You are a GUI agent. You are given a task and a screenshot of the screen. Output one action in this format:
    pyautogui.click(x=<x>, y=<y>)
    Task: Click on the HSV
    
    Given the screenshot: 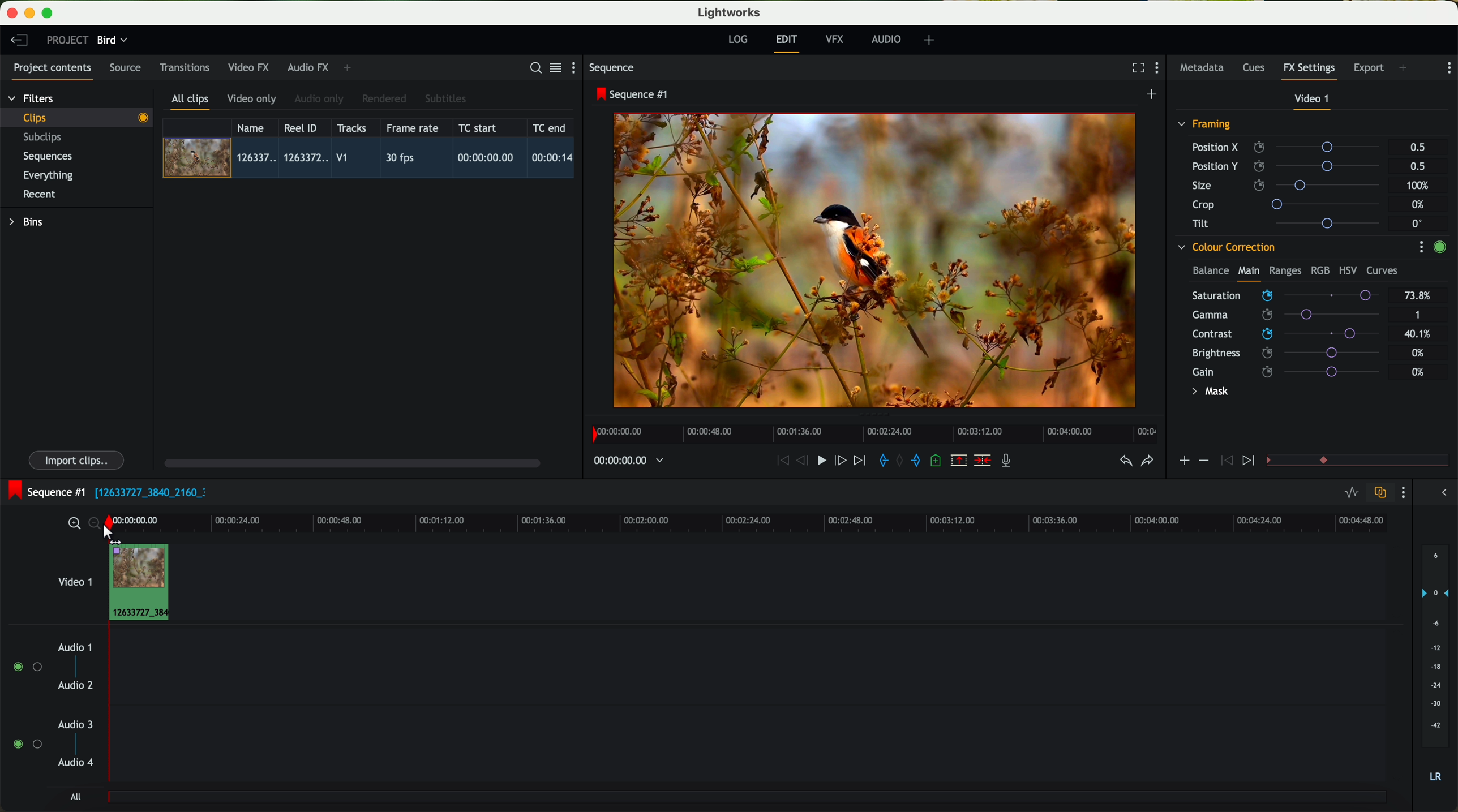 What is the action you would take?
    pyautogui.click(x=1347, y=270)
    